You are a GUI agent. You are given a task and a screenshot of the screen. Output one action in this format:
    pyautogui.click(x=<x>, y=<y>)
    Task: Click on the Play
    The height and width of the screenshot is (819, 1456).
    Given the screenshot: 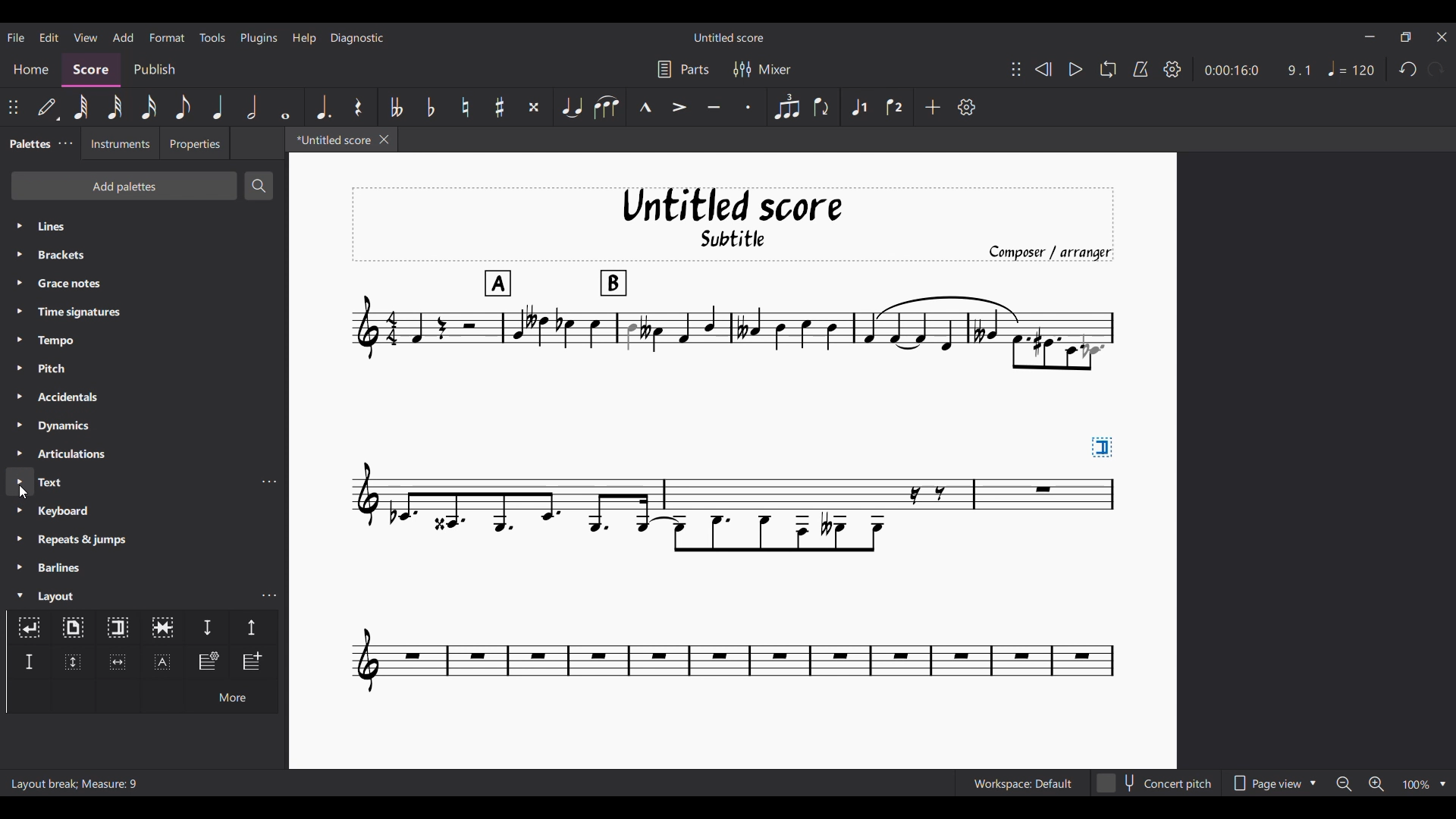 What is the action you would take?
    pyautogui.click(x=1075, y=69)
    